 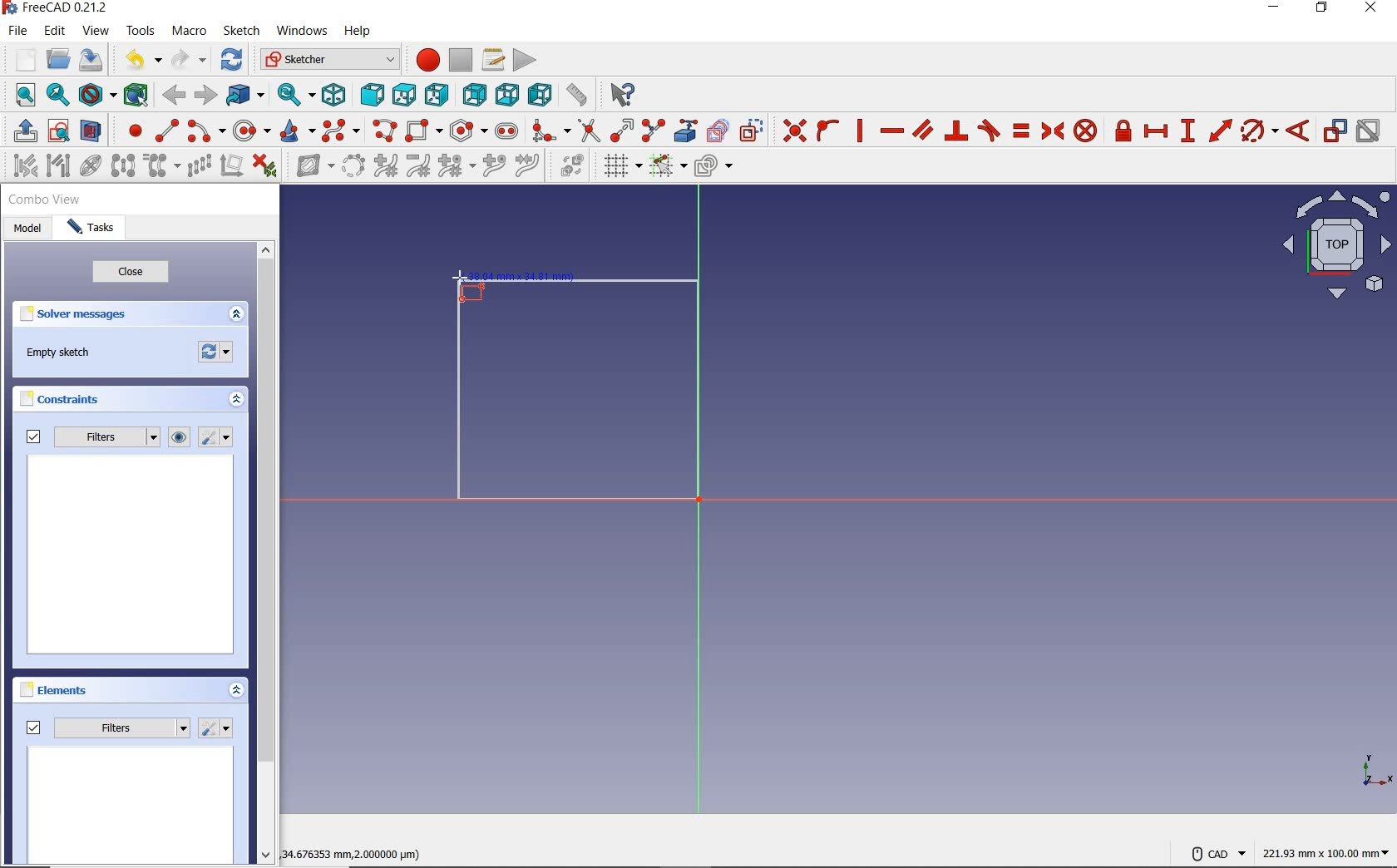 I want to click on create regular polygon, so click(x=467, y=131).